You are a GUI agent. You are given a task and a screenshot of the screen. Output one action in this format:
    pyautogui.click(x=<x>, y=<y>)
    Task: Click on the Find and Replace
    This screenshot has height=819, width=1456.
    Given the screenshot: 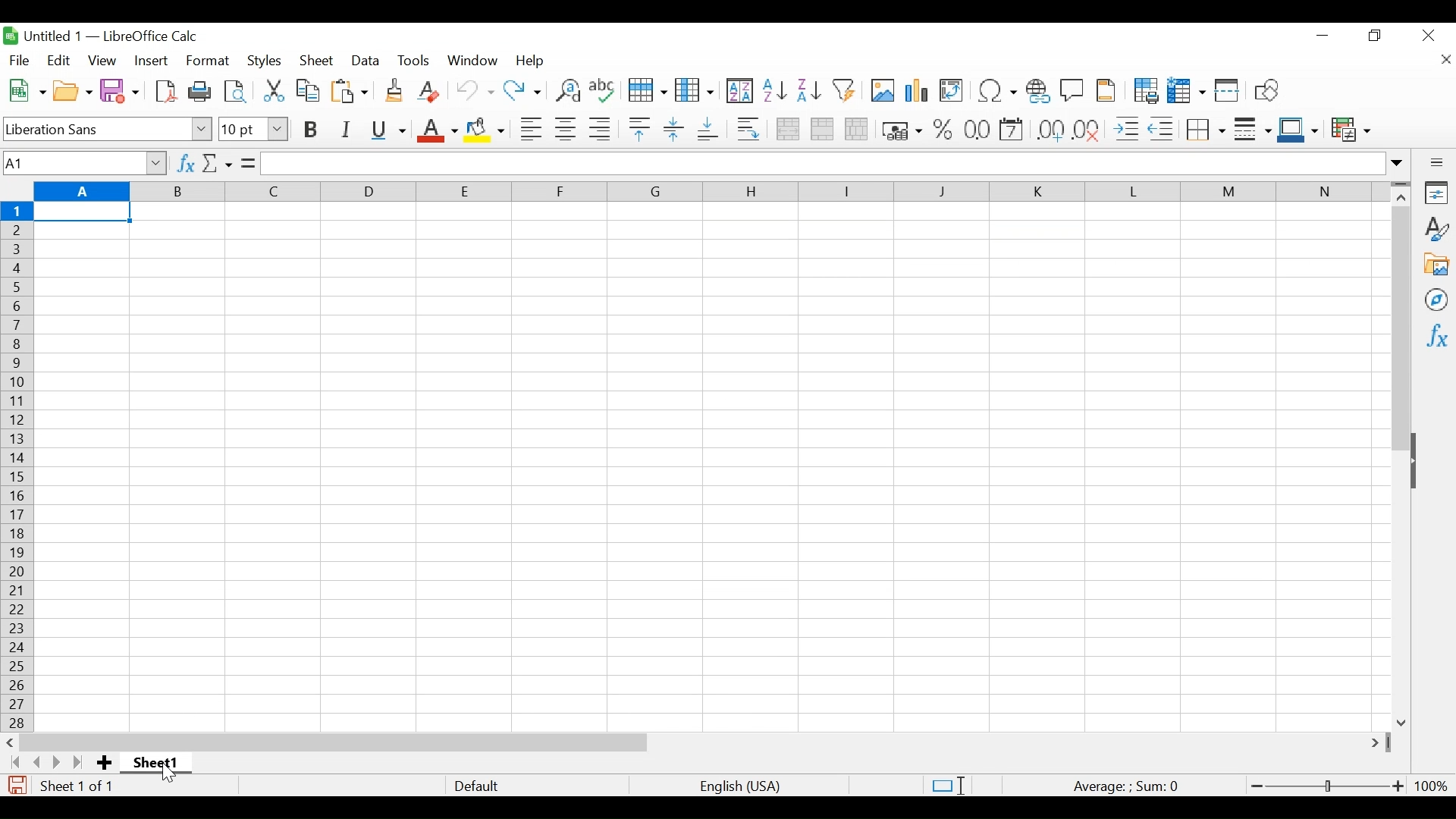 What is the action you would take?
    pyautogui.click(x=565, y=91)
    